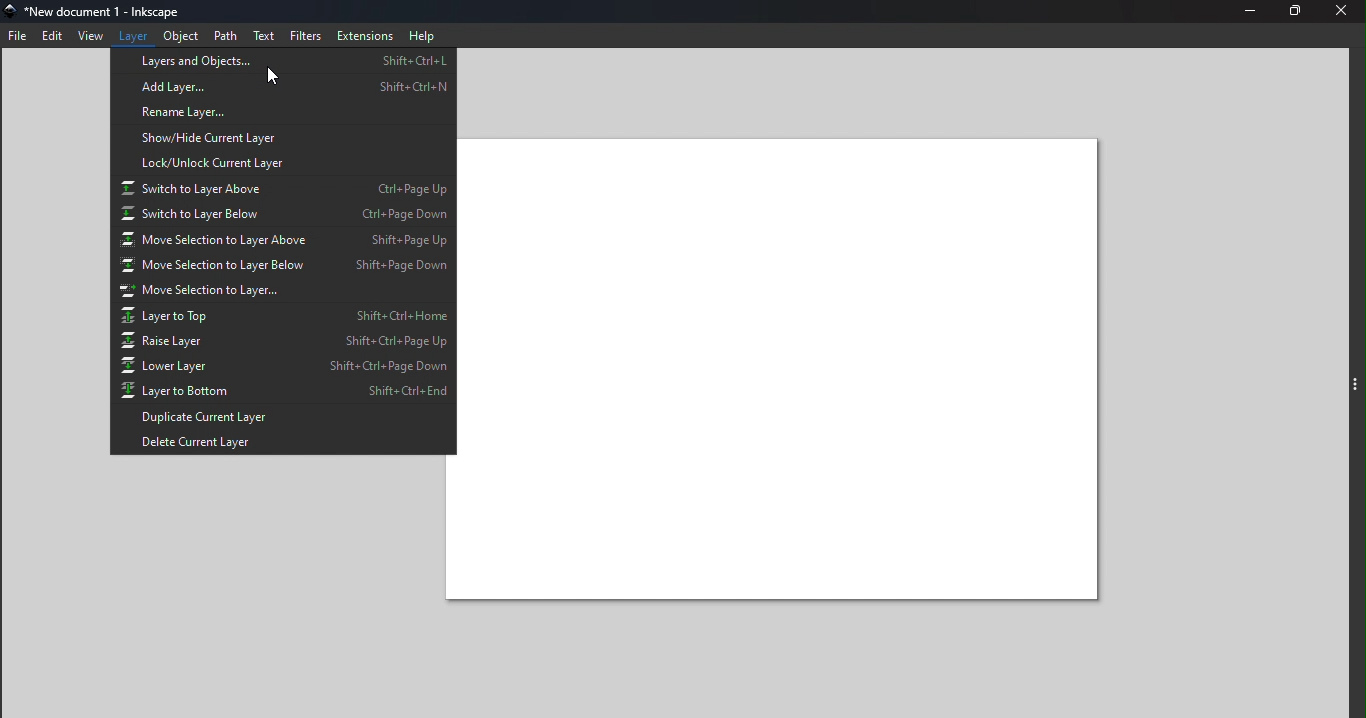  Describe the element at coordinates (281, 138) in the screenshot. I see `Show/hide current layer` at that location.